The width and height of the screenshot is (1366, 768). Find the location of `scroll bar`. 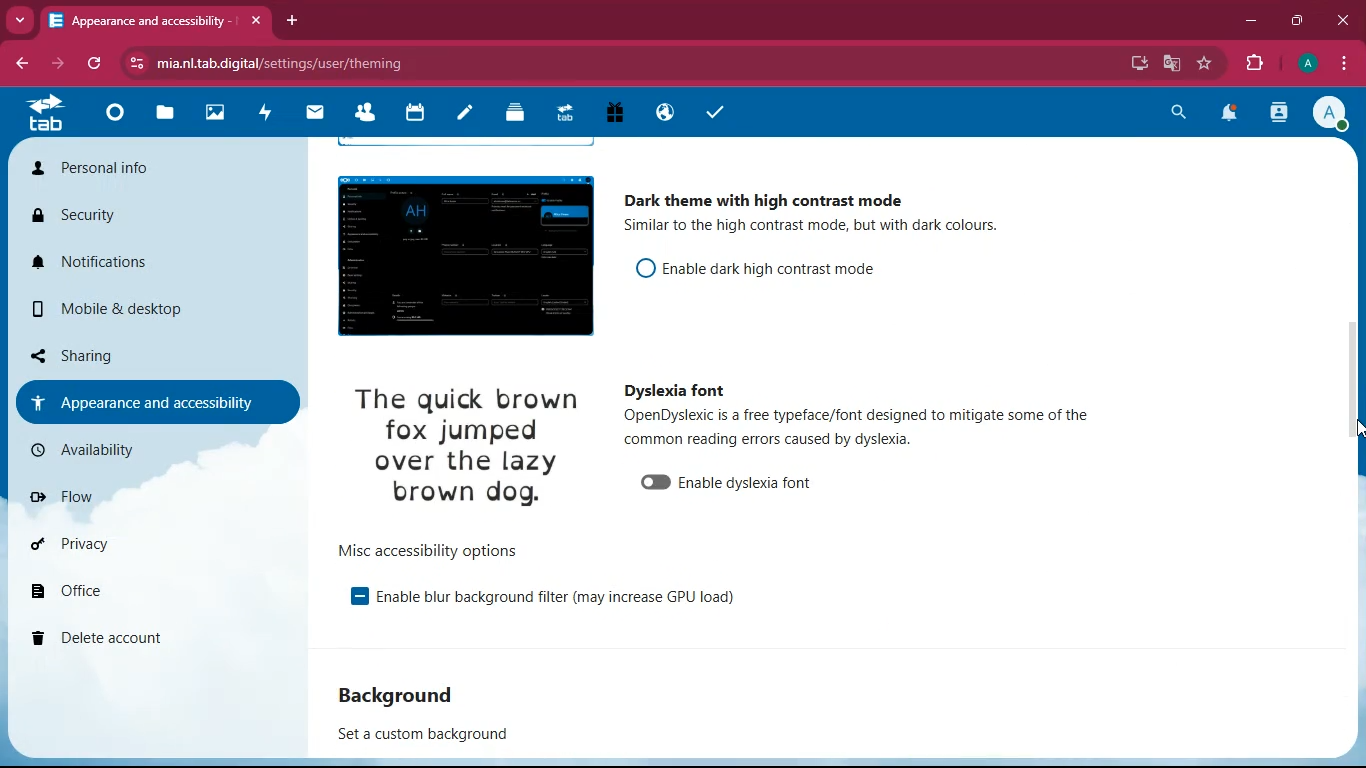

scroll bar is located at coordinates (1357, 386).